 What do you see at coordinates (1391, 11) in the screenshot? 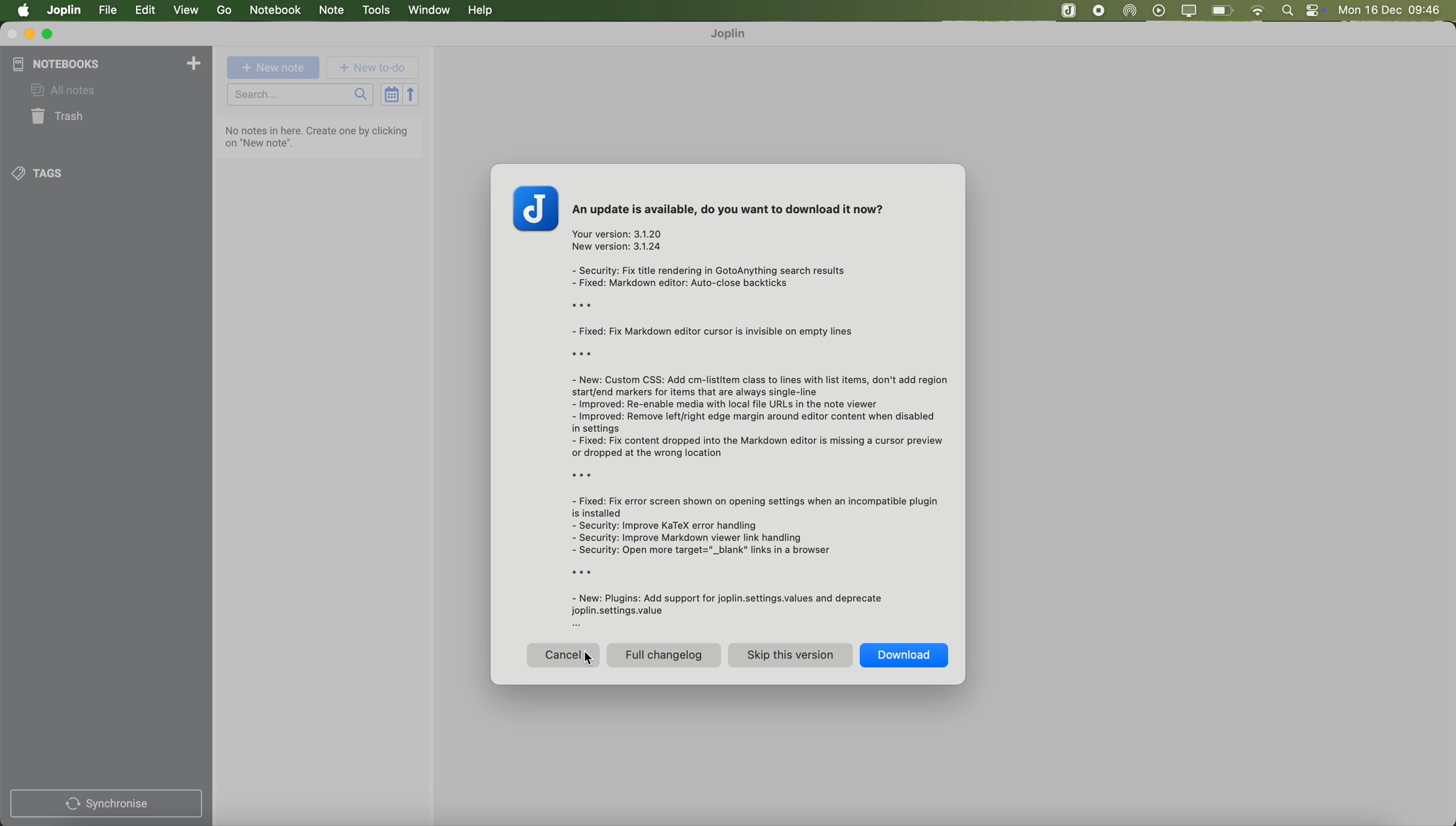
I see `Mon 16 Dec 09:45` at bounding box center [1391, 11].